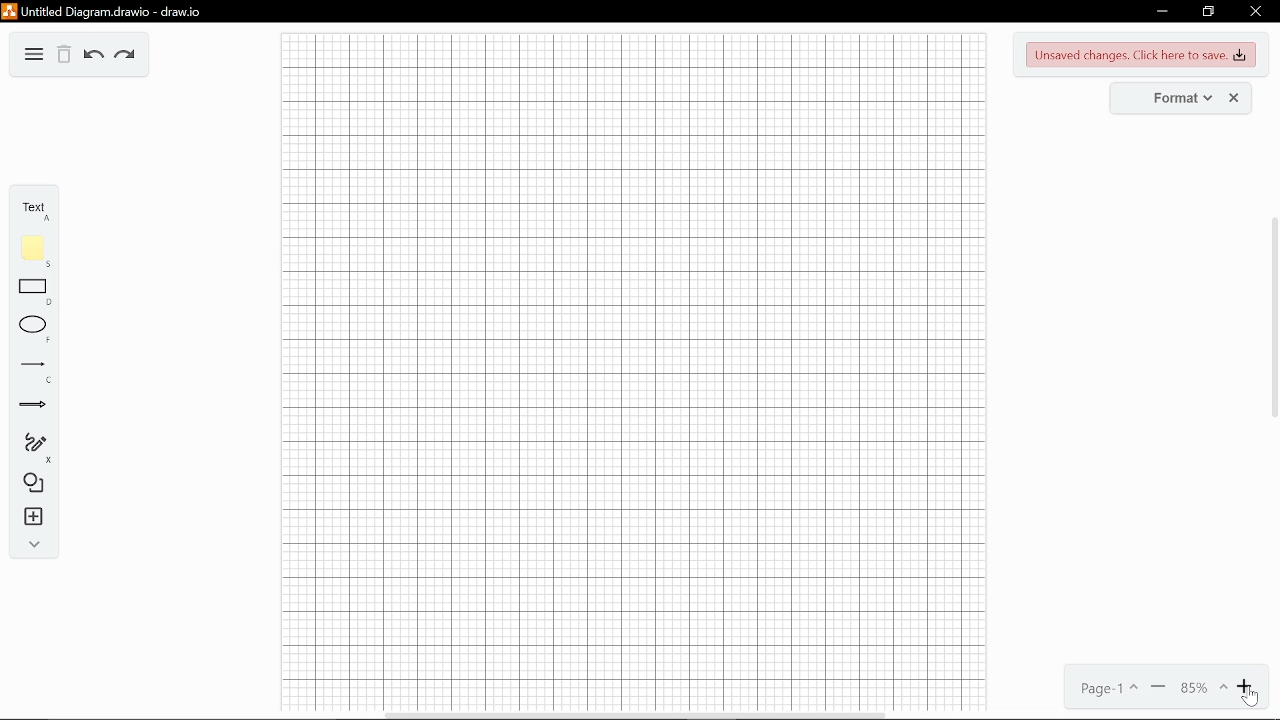 The height and width of the screenshot is (720, 1280). Describe the element at coordinates (1244, 686) in the screenshot. I see `zoom in` at that location.